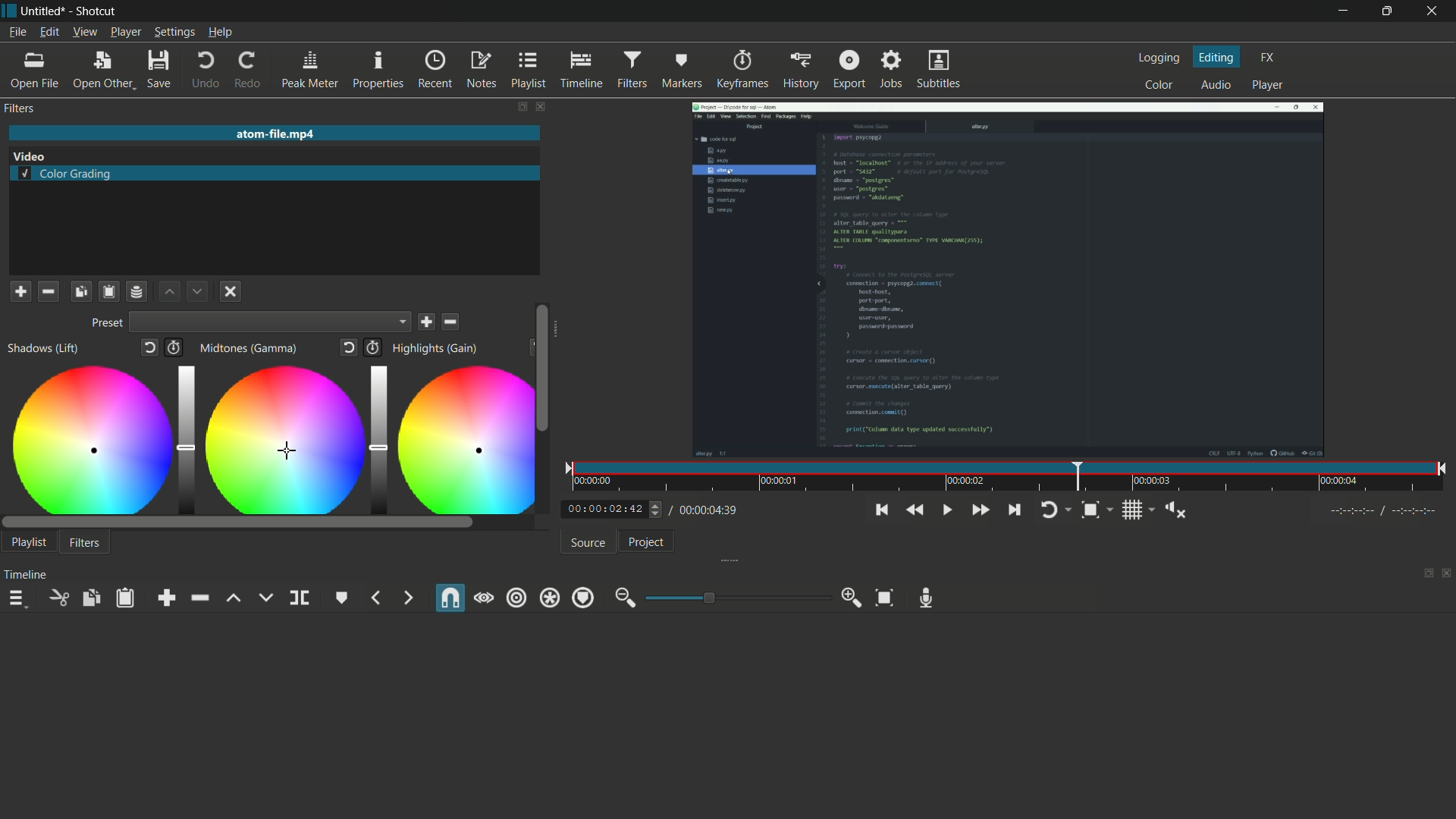  I want to click on export, so click(850, 68).